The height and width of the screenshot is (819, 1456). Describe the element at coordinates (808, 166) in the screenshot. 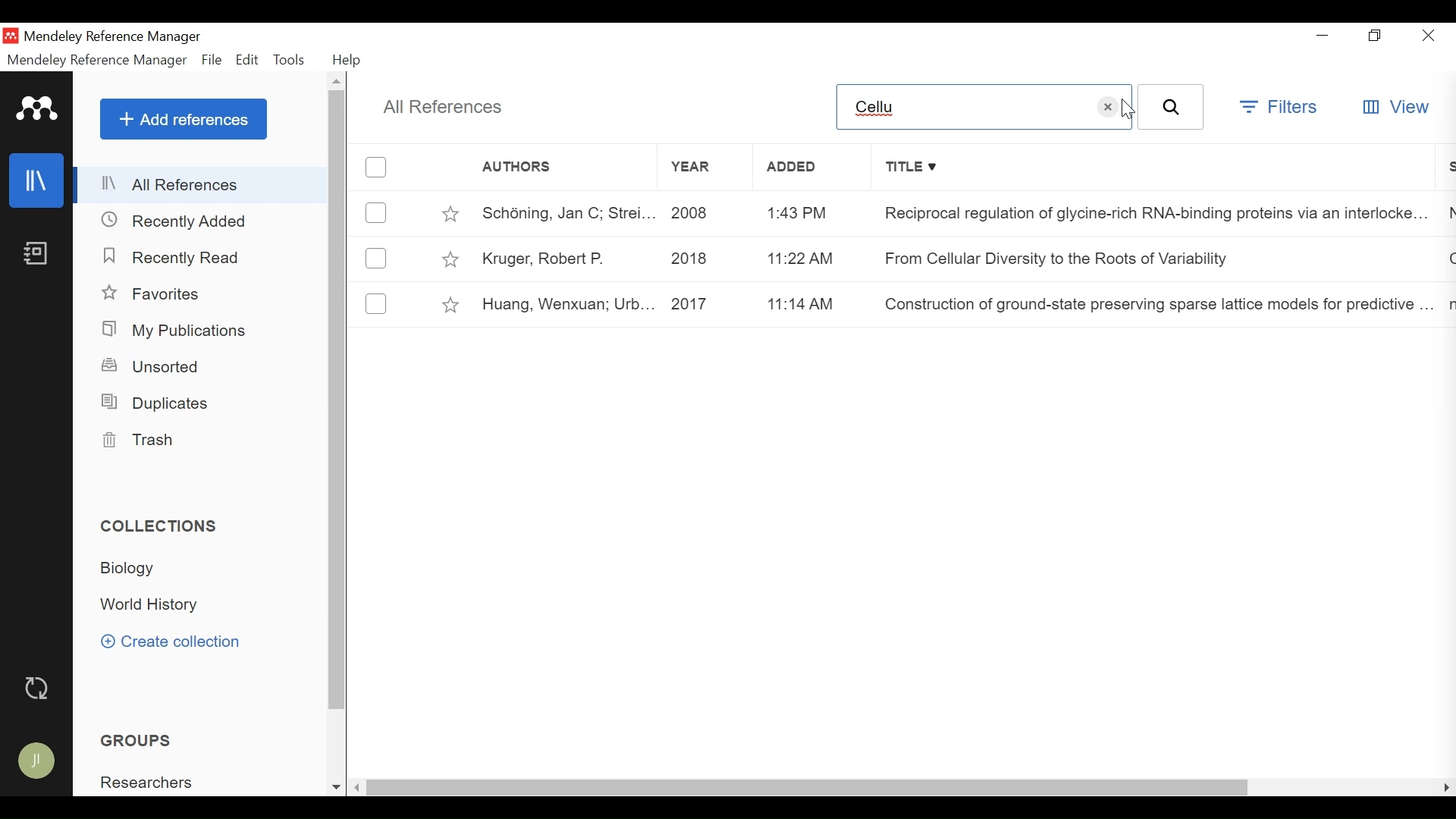

I see `Added` at that location.